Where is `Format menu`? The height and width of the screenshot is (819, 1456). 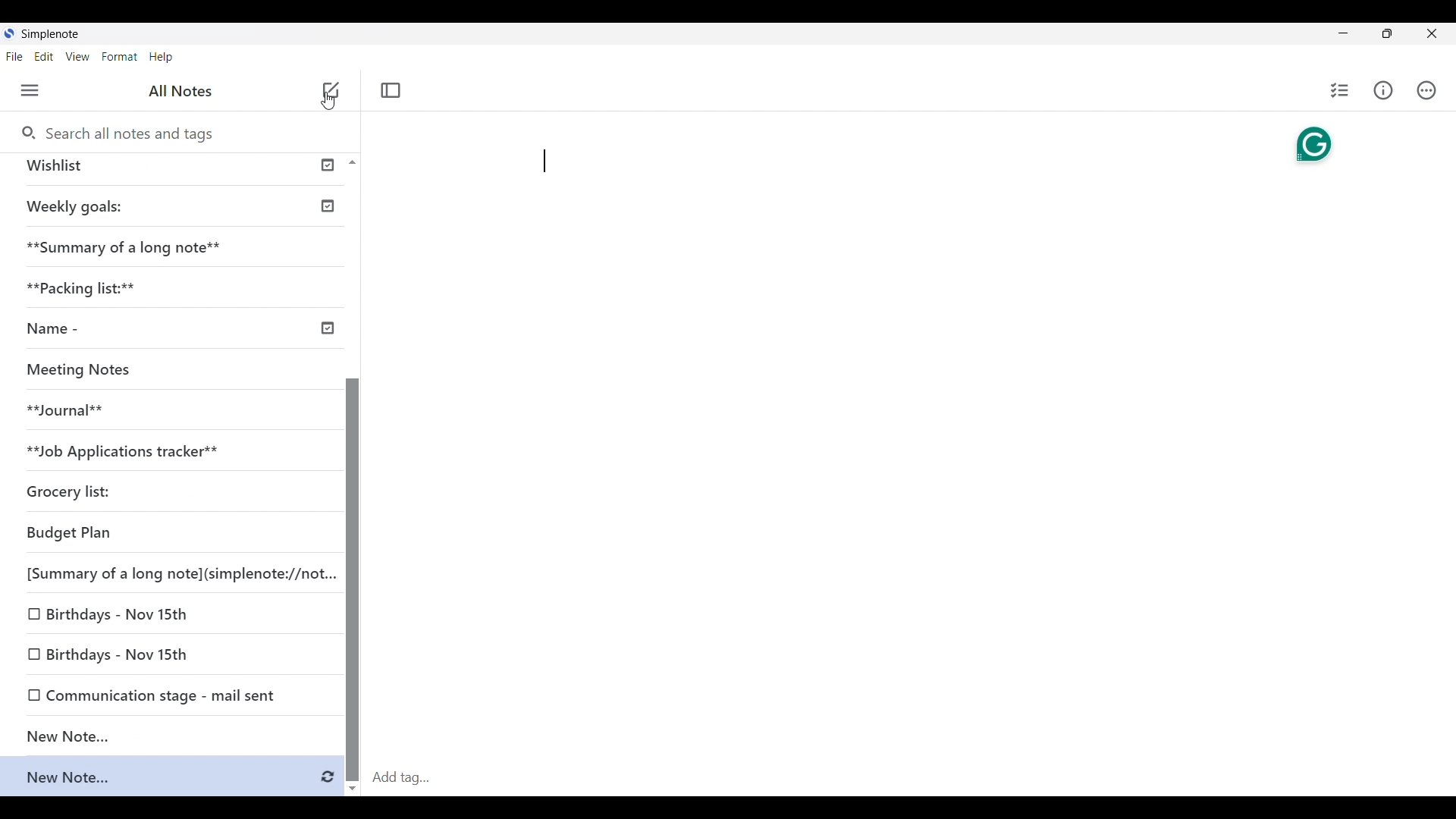 Format menu is located at coordinates (120, 57).